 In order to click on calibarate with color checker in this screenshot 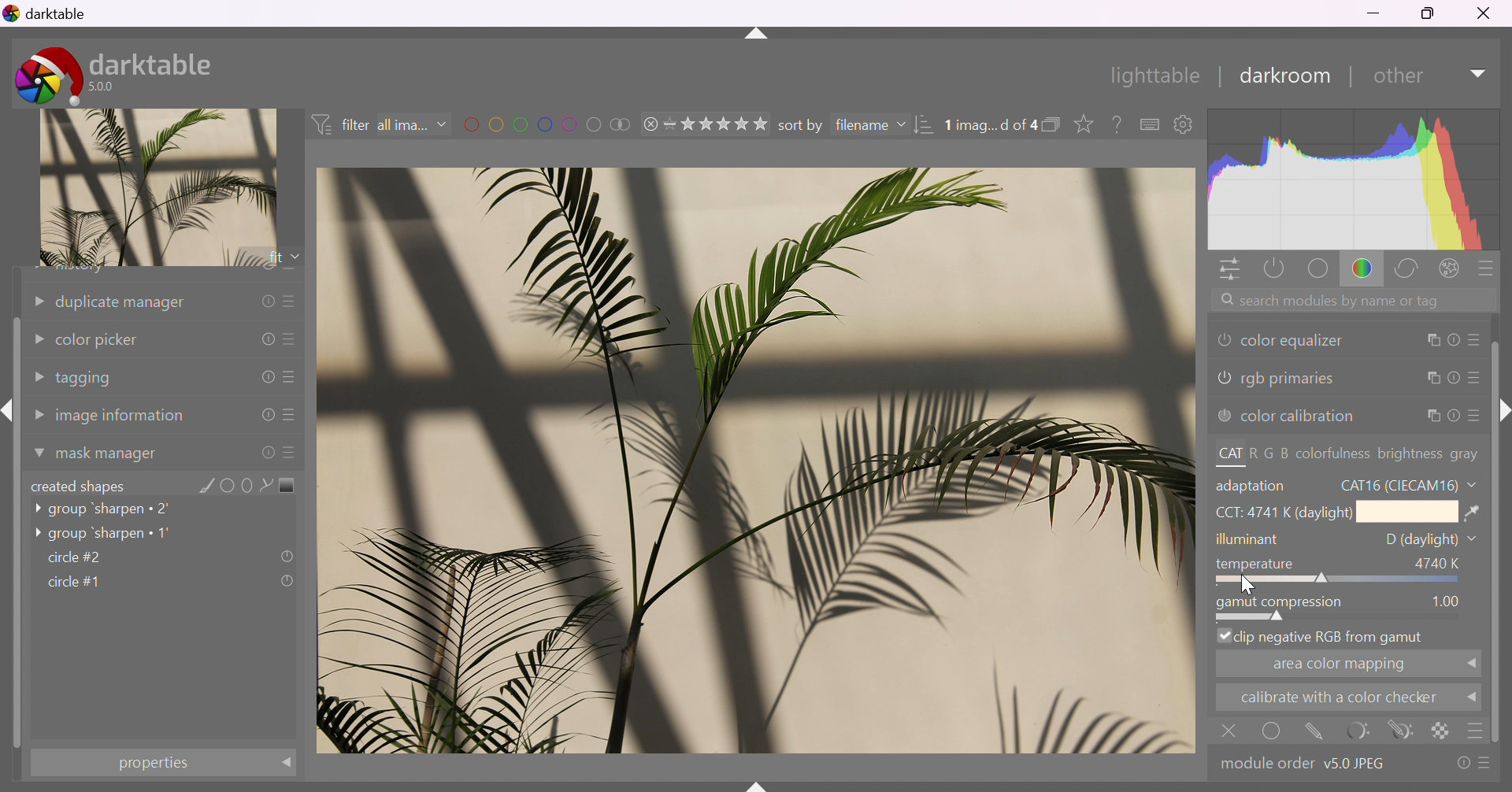, I will do `click(1349, 699)`.